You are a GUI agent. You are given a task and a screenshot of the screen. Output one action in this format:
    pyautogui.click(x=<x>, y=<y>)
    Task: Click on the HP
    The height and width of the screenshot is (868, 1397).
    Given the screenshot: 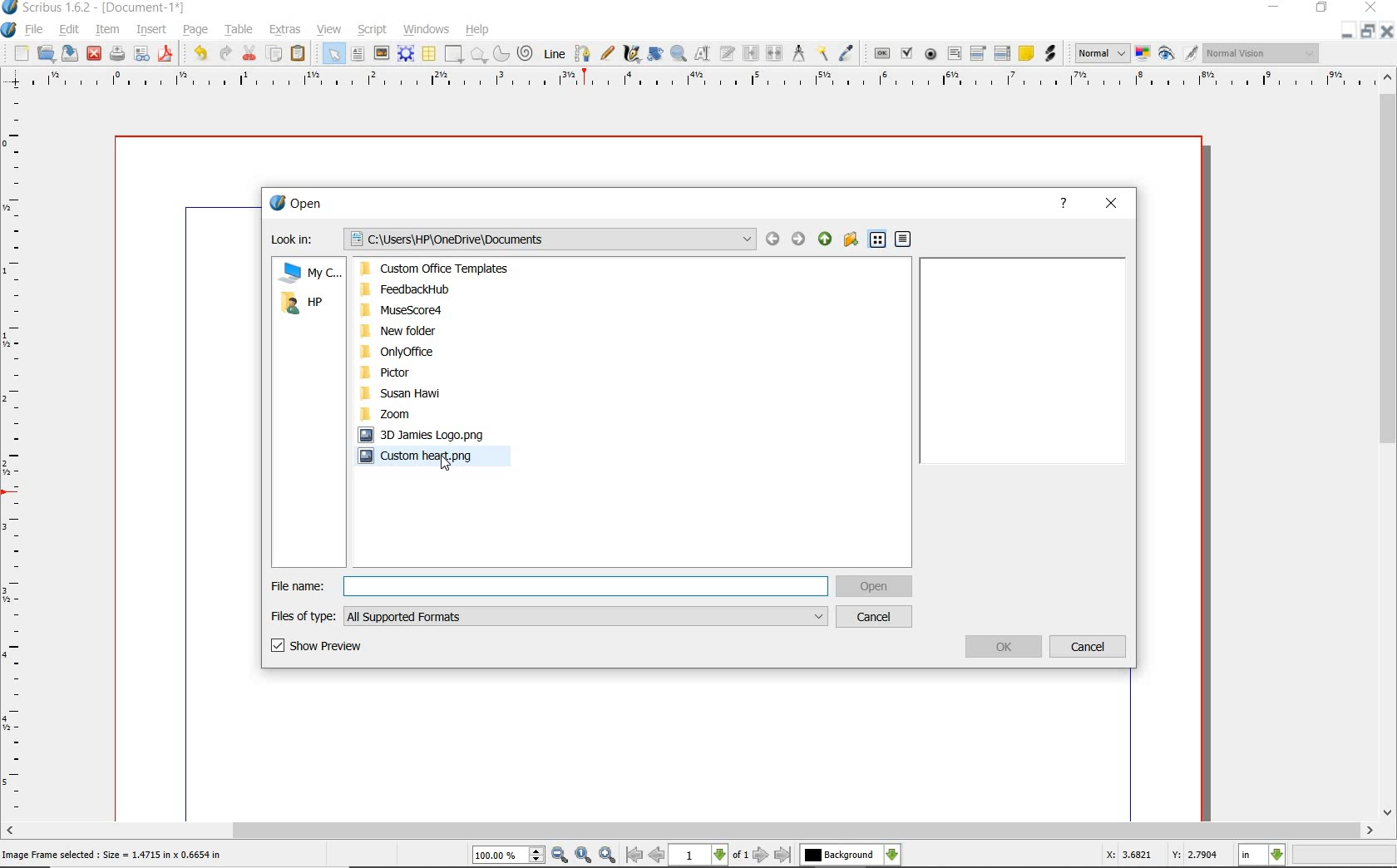 What is the action you would take?
    pyautogui.click(x=309, y=305)
    